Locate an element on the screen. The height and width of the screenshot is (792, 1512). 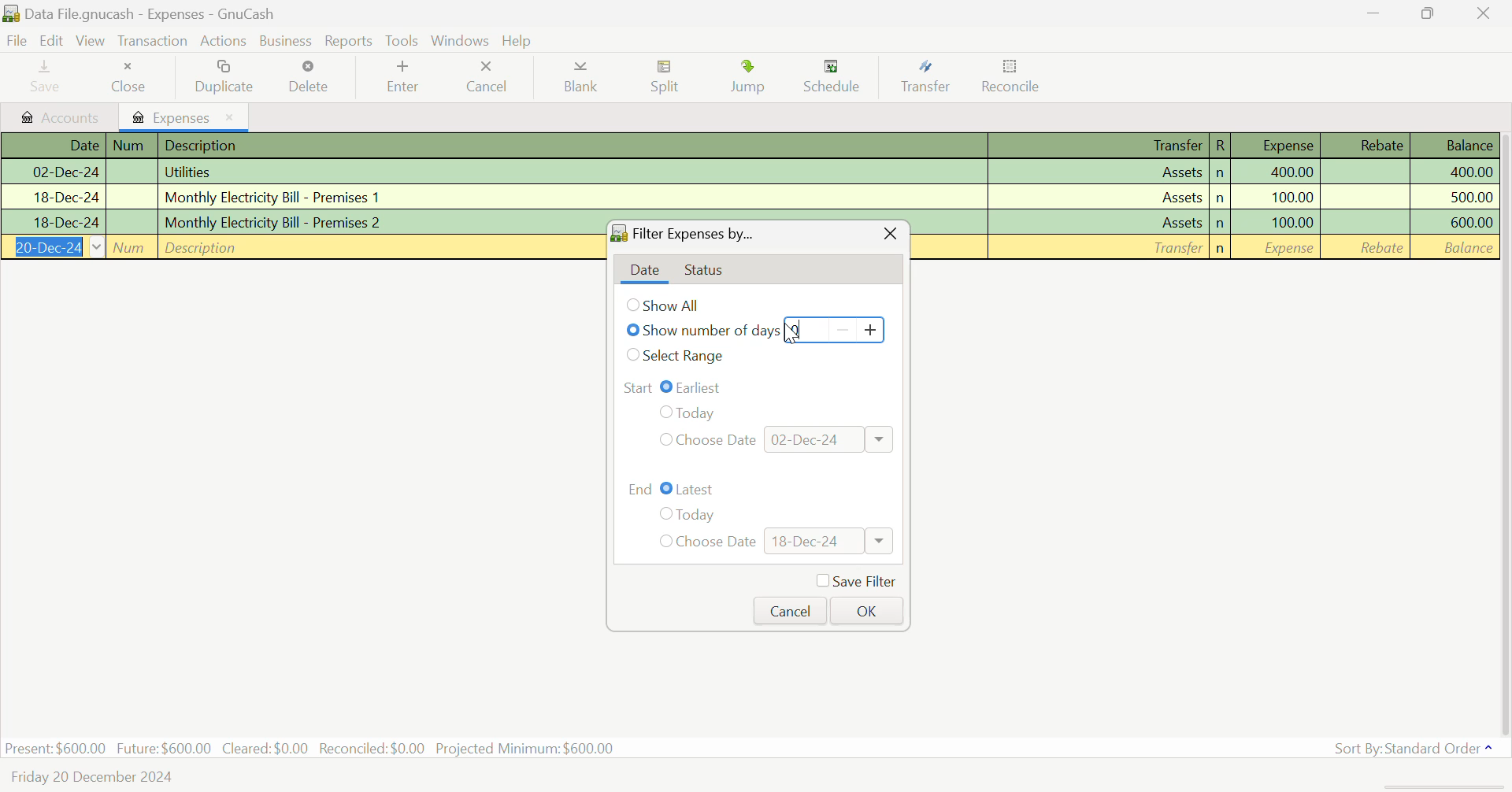
Transfer is located at coordinates (931, 77).